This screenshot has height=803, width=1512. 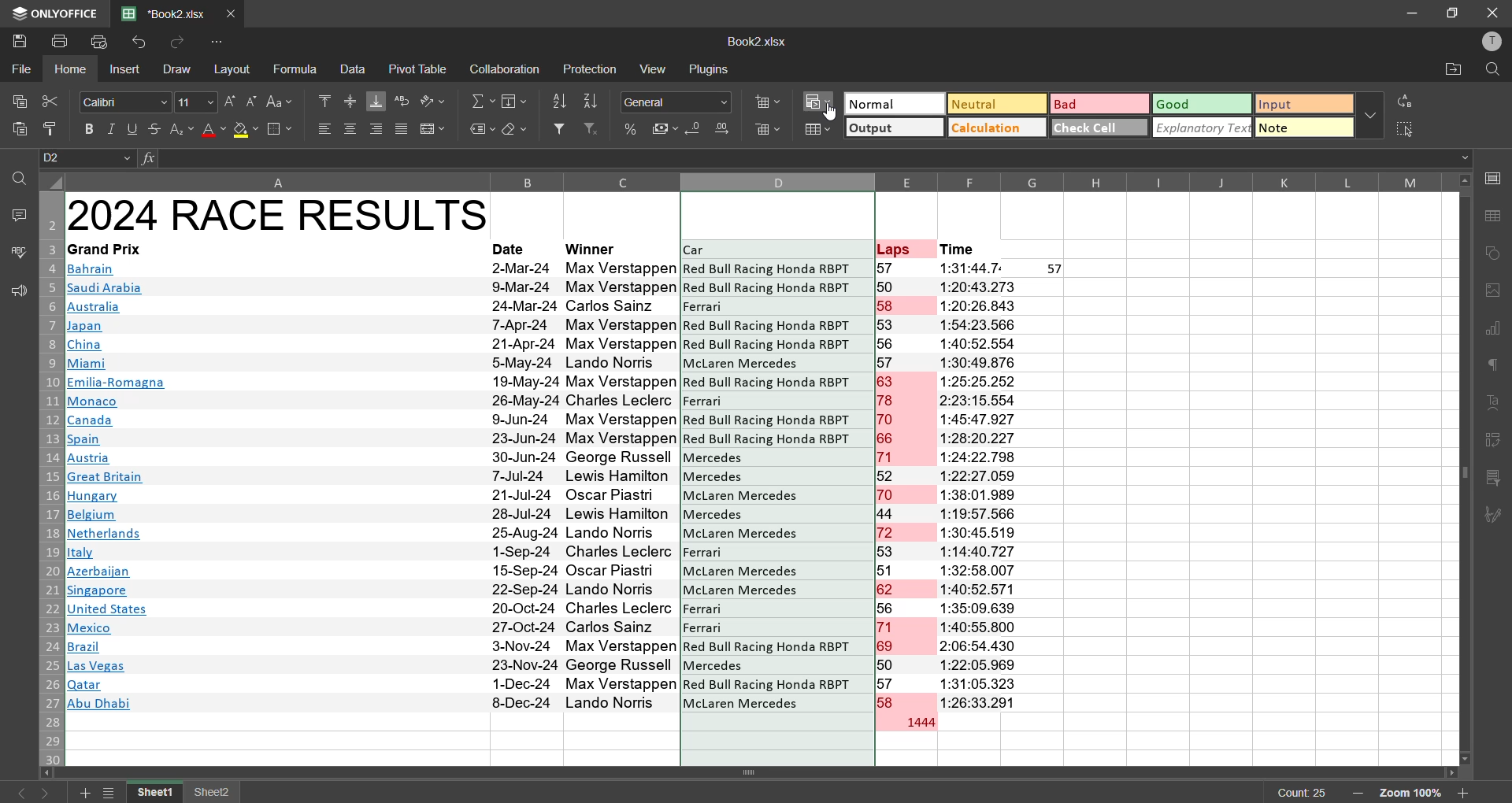 What do you see at coordinates (48, 479) in the screenshot?
I see `row numbers` at bounding box center [48, 479].